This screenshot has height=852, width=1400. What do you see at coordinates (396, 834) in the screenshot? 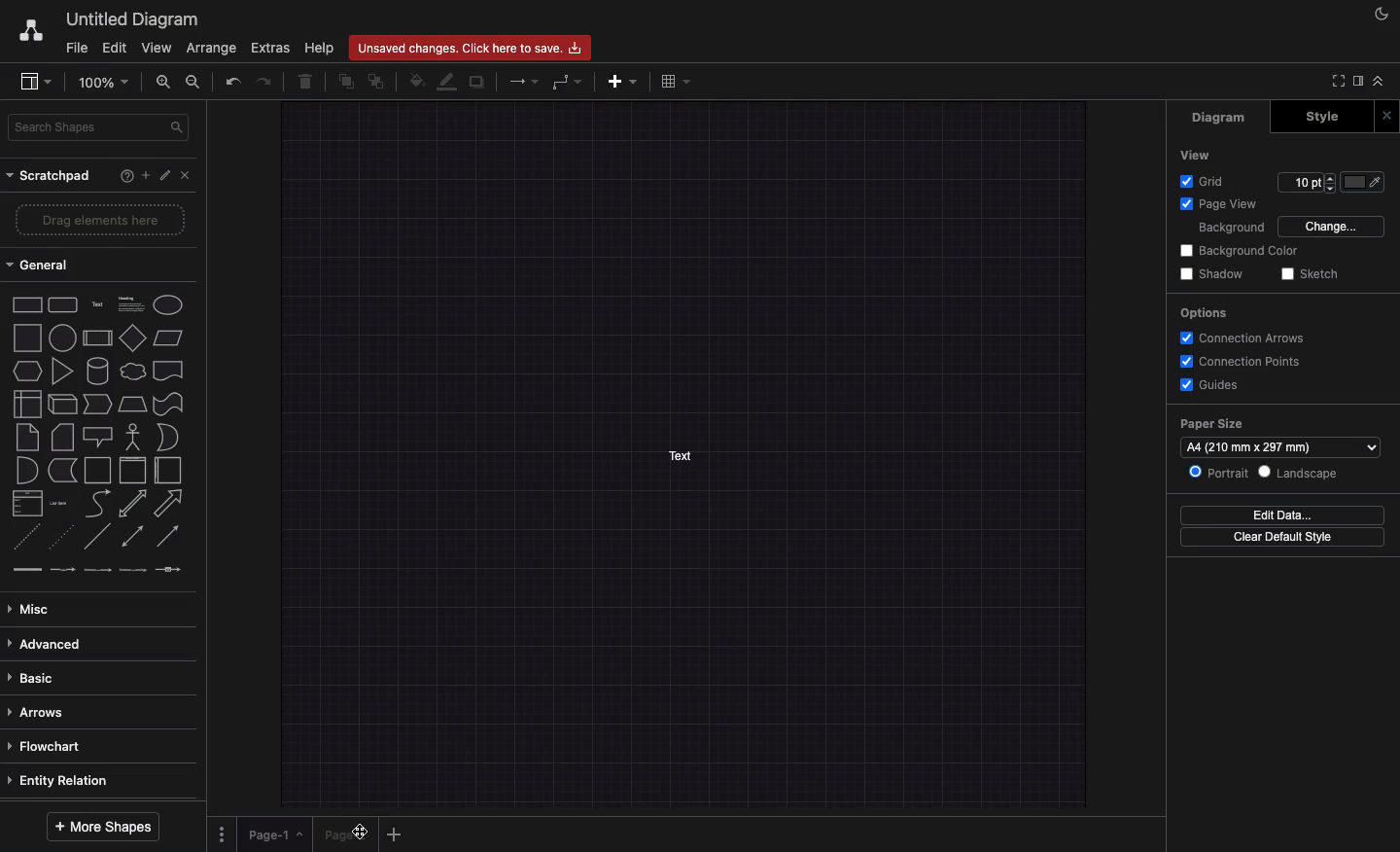
I see `Add page` at bounding box center [396, 834].